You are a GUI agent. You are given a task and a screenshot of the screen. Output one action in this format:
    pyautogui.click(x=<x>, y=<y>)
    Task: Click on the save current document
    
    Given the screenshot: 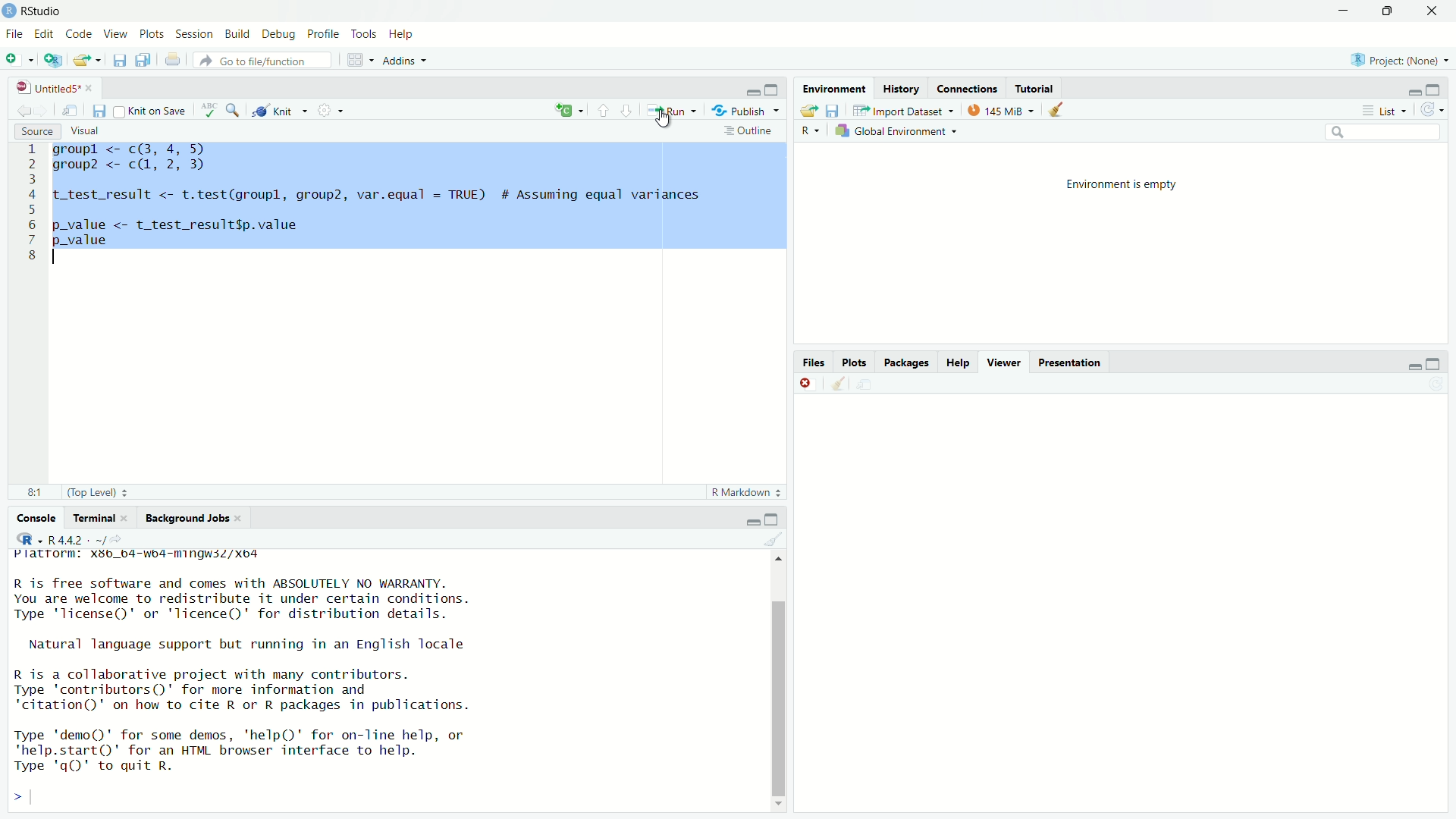 What is the action you would take?
    pyautogui.click(x=120, y=60)
    